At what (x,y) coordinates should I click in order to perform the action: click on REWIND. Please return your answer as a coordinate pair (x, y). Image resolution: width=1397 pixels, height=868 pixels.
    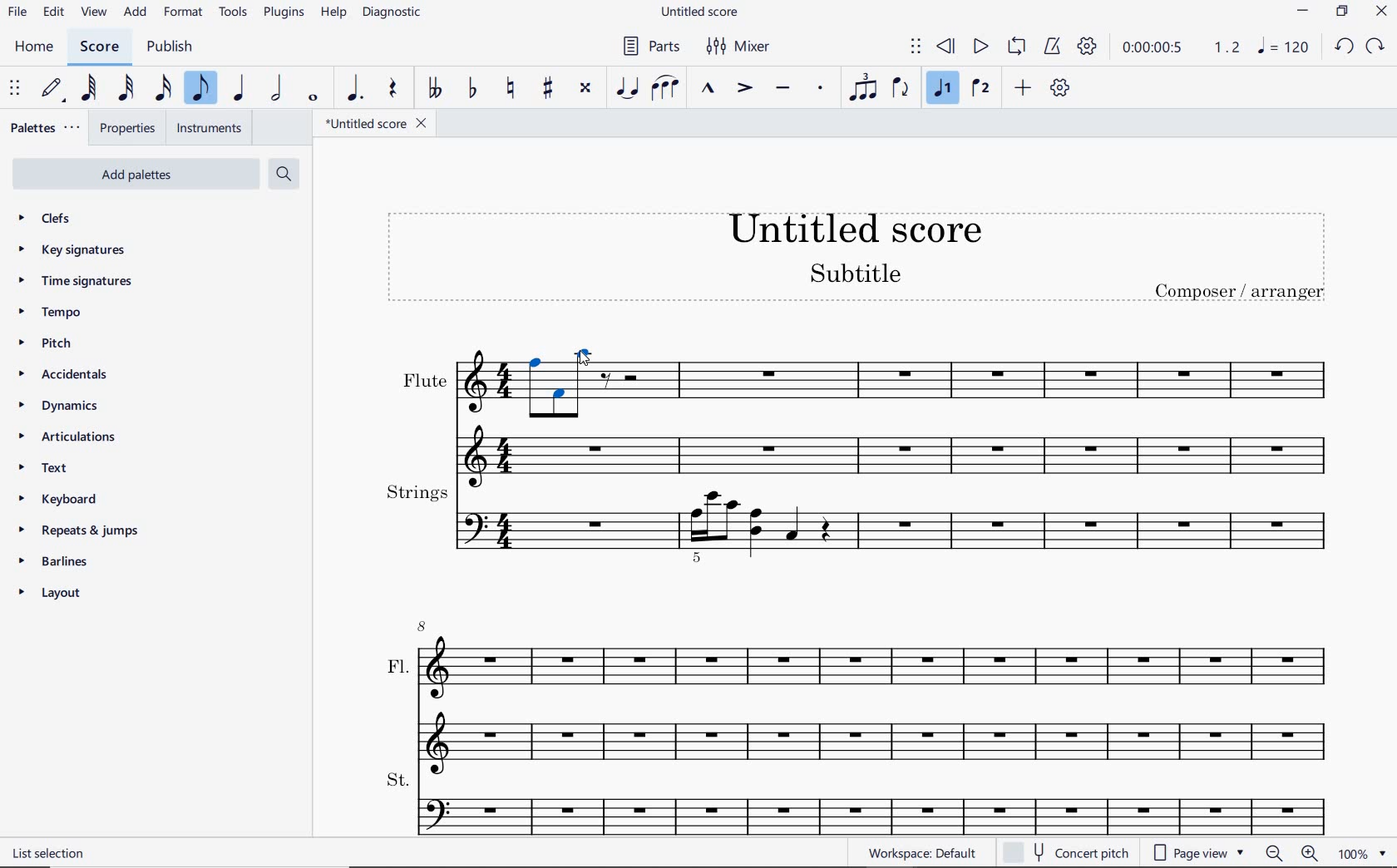
    Looking at the image, I should click on (943, 47).